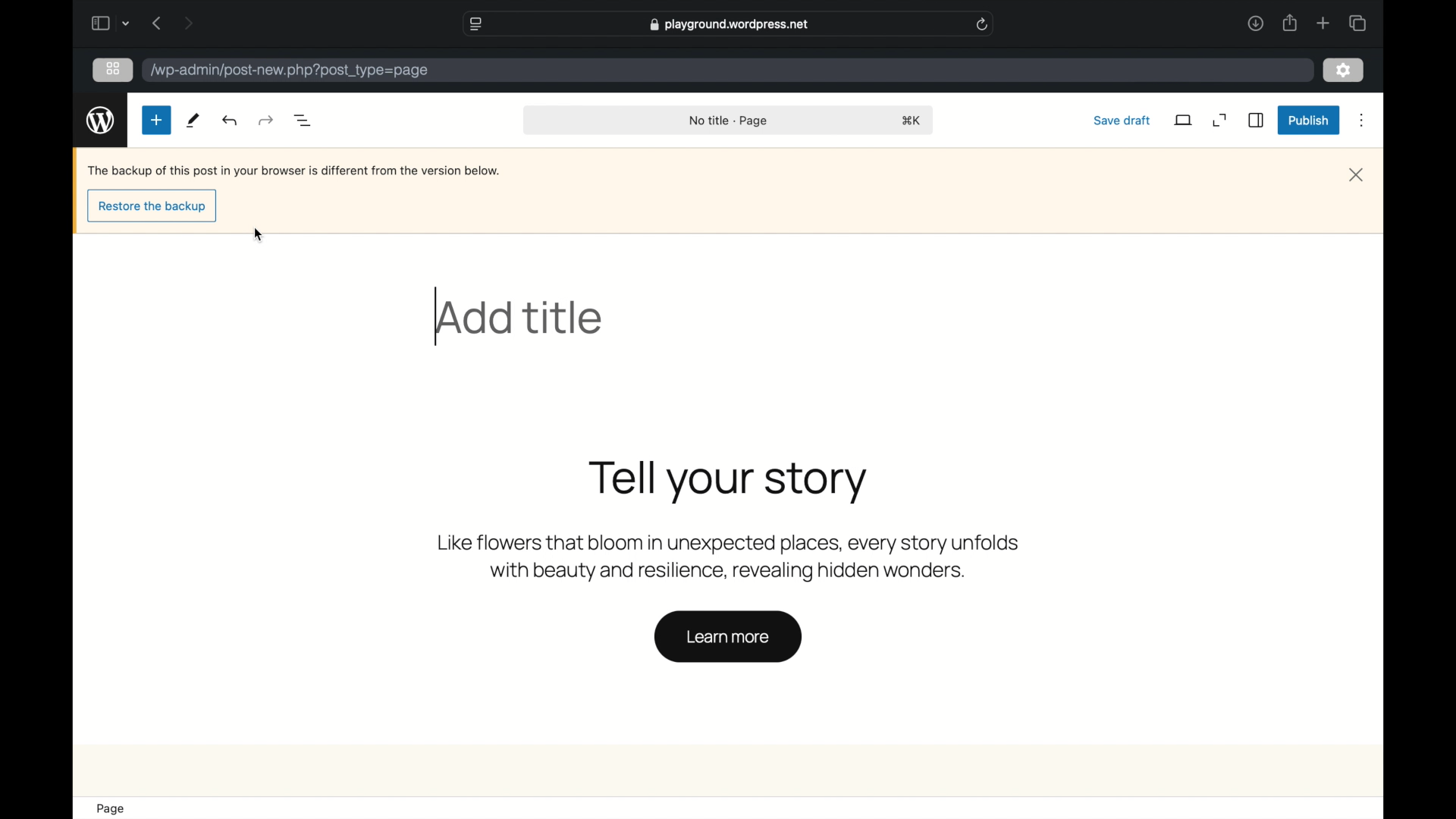 This screenshot has width=1456, height=819. Describe the element at coordinates (522, 318) in the screenshot. I see `add title` at that location.